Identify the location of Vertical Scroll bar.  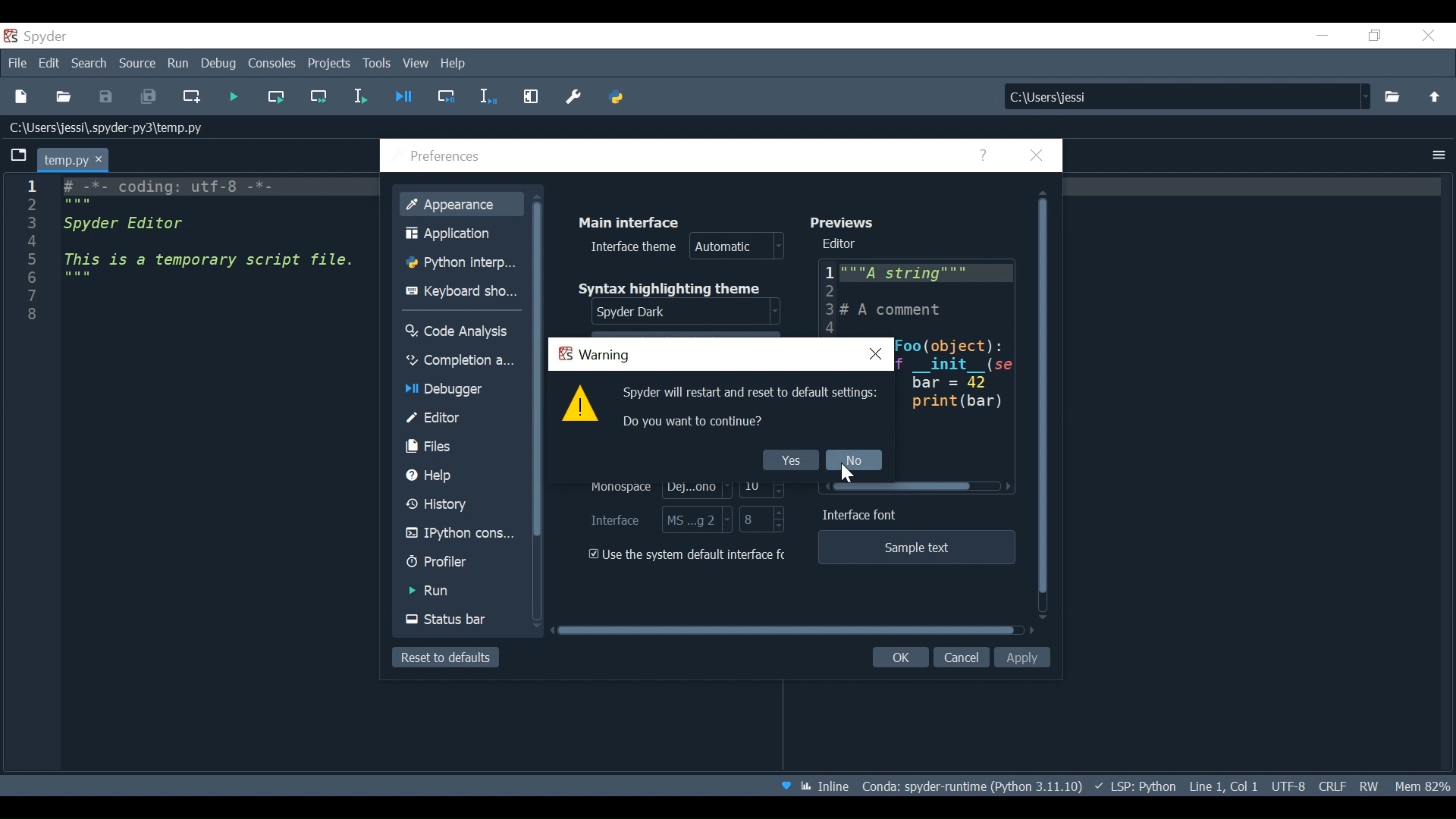
(1044, 398).